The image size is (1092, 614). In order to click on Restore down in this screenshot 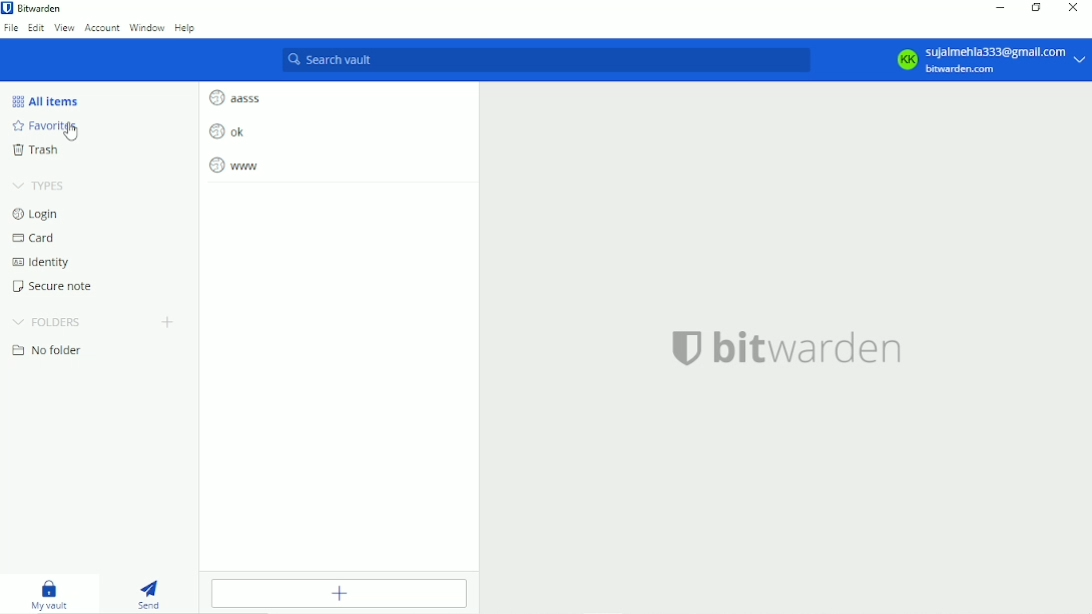, I will do `click(1035, 8)`.